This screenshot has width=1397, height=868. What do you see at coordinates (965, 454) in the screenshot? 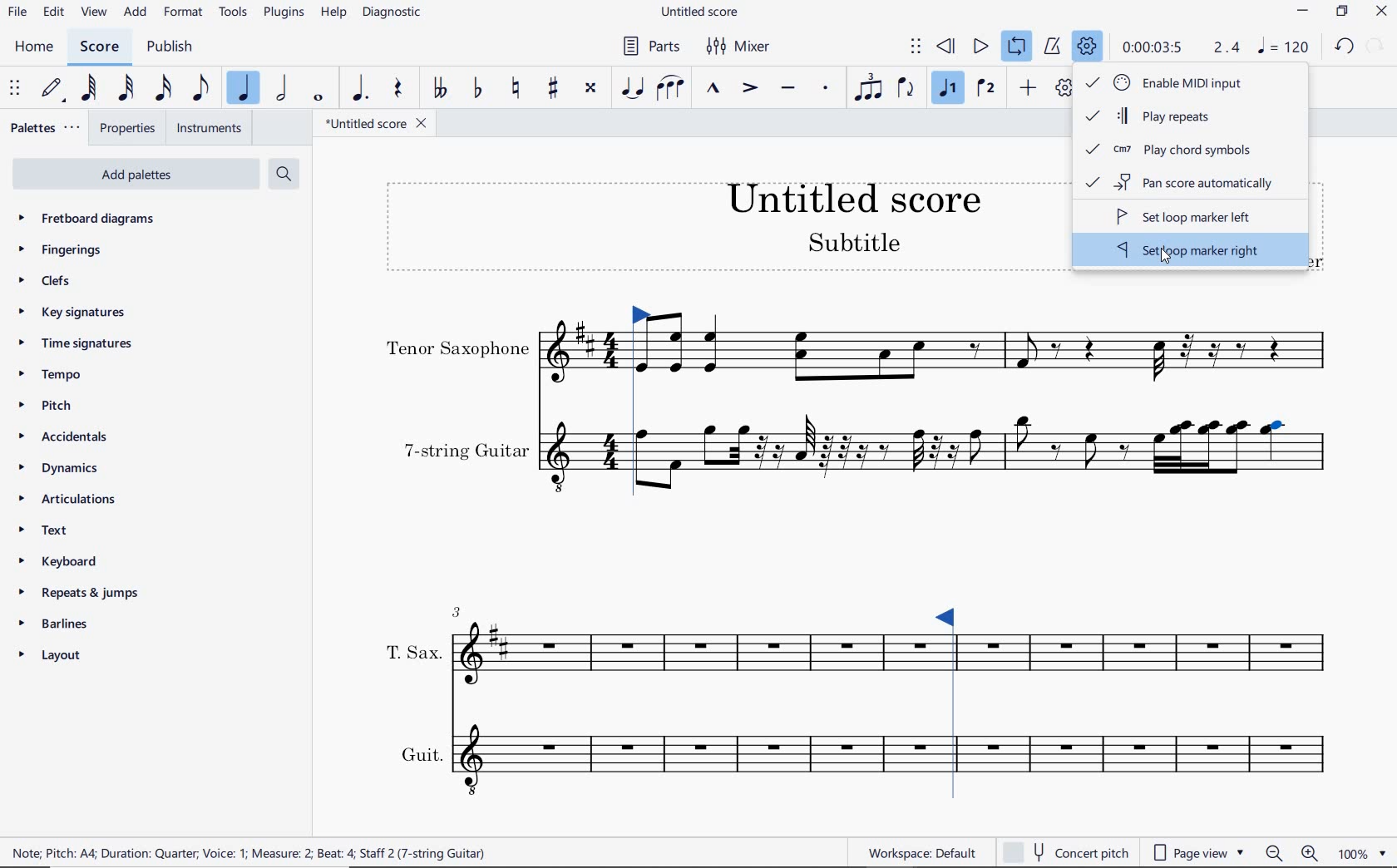
I see `INSTRUMENT: 7-STRING GUITAR` at bounding box center [965, 454].